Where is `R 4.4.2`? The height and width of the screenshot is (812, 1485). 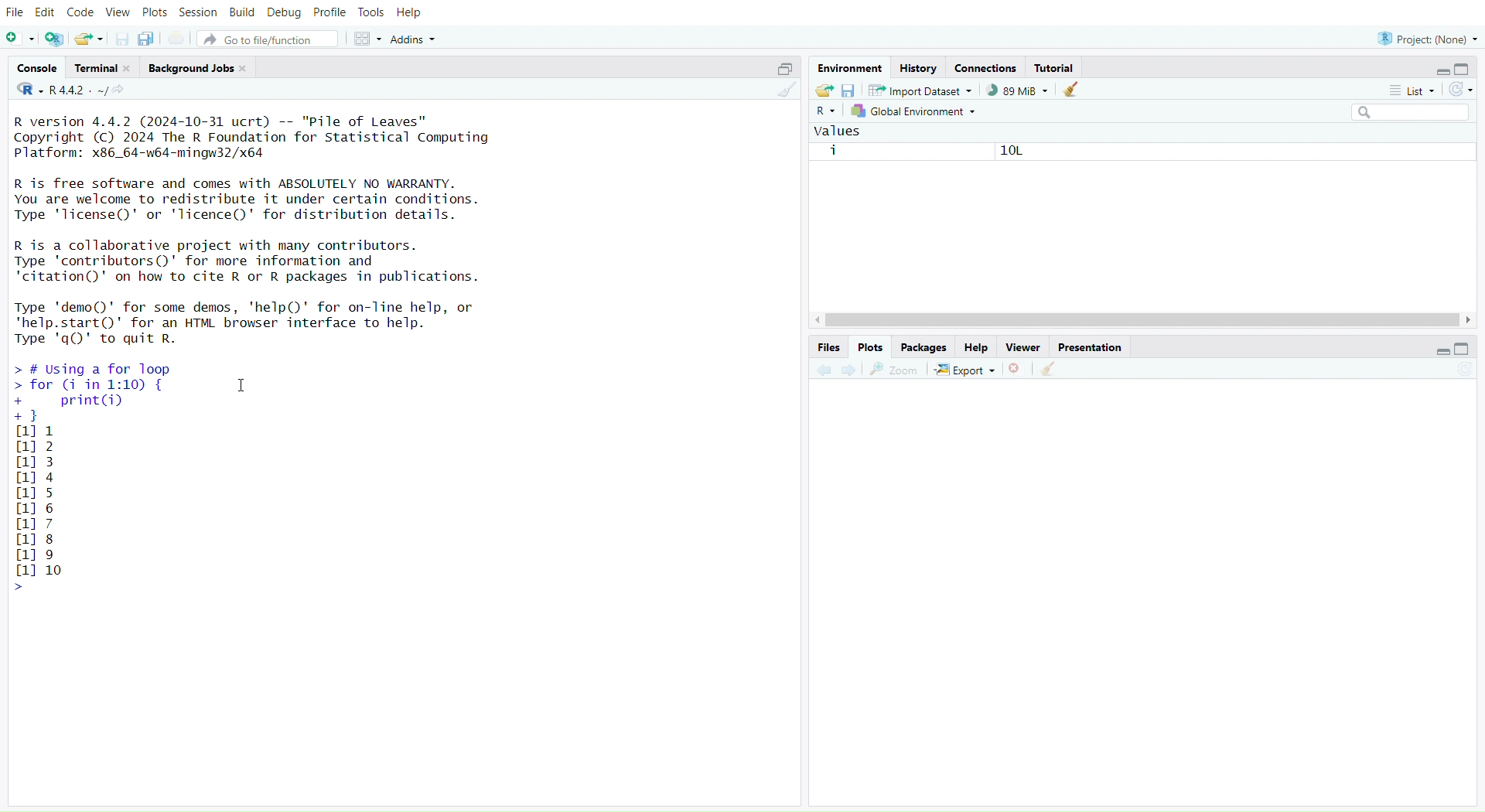
R 4.4.2 is located at coordinates (63, 90).